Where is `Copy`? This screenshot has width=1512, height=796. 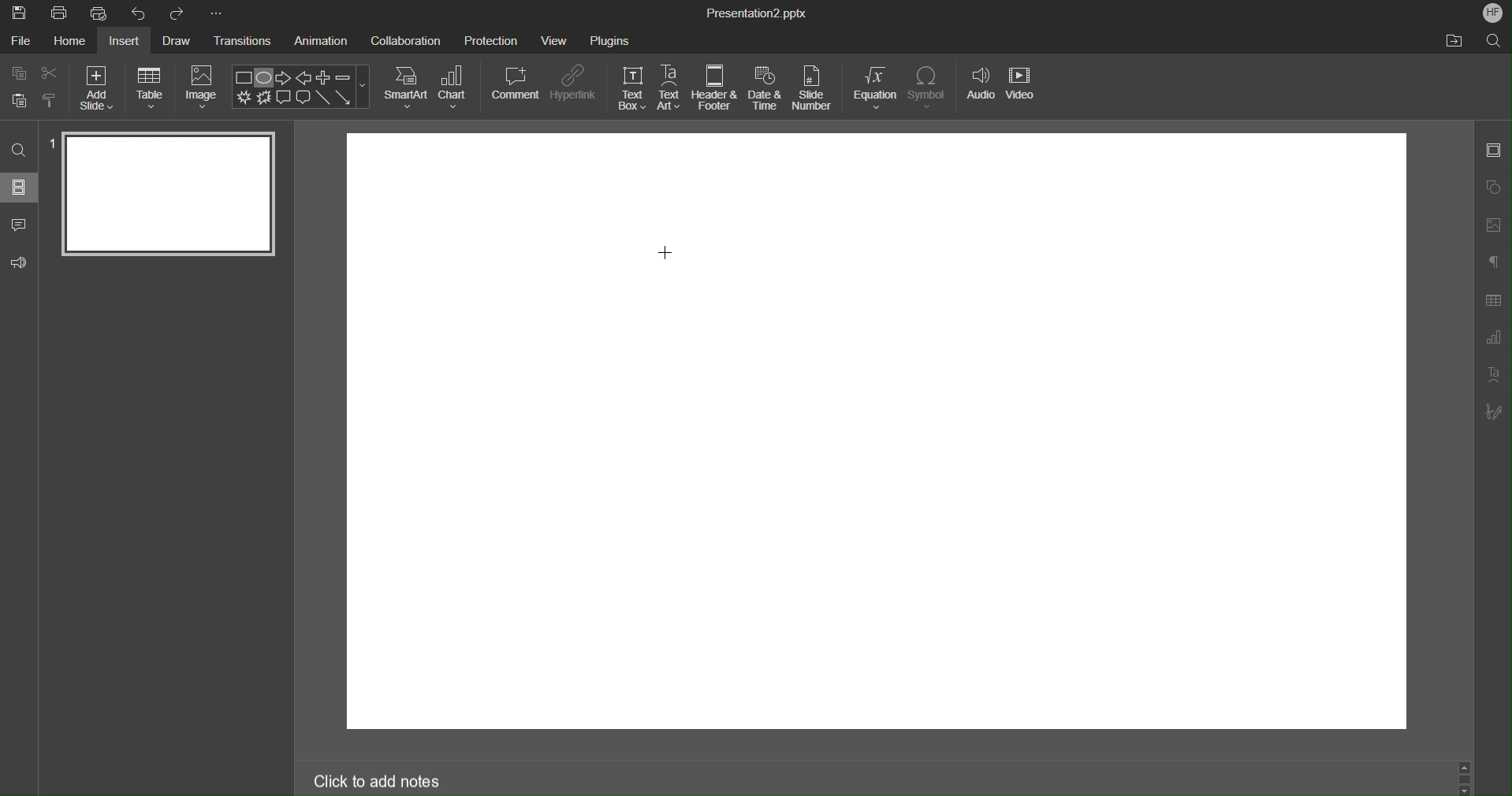
Copy is located at coordinates (17, 73).